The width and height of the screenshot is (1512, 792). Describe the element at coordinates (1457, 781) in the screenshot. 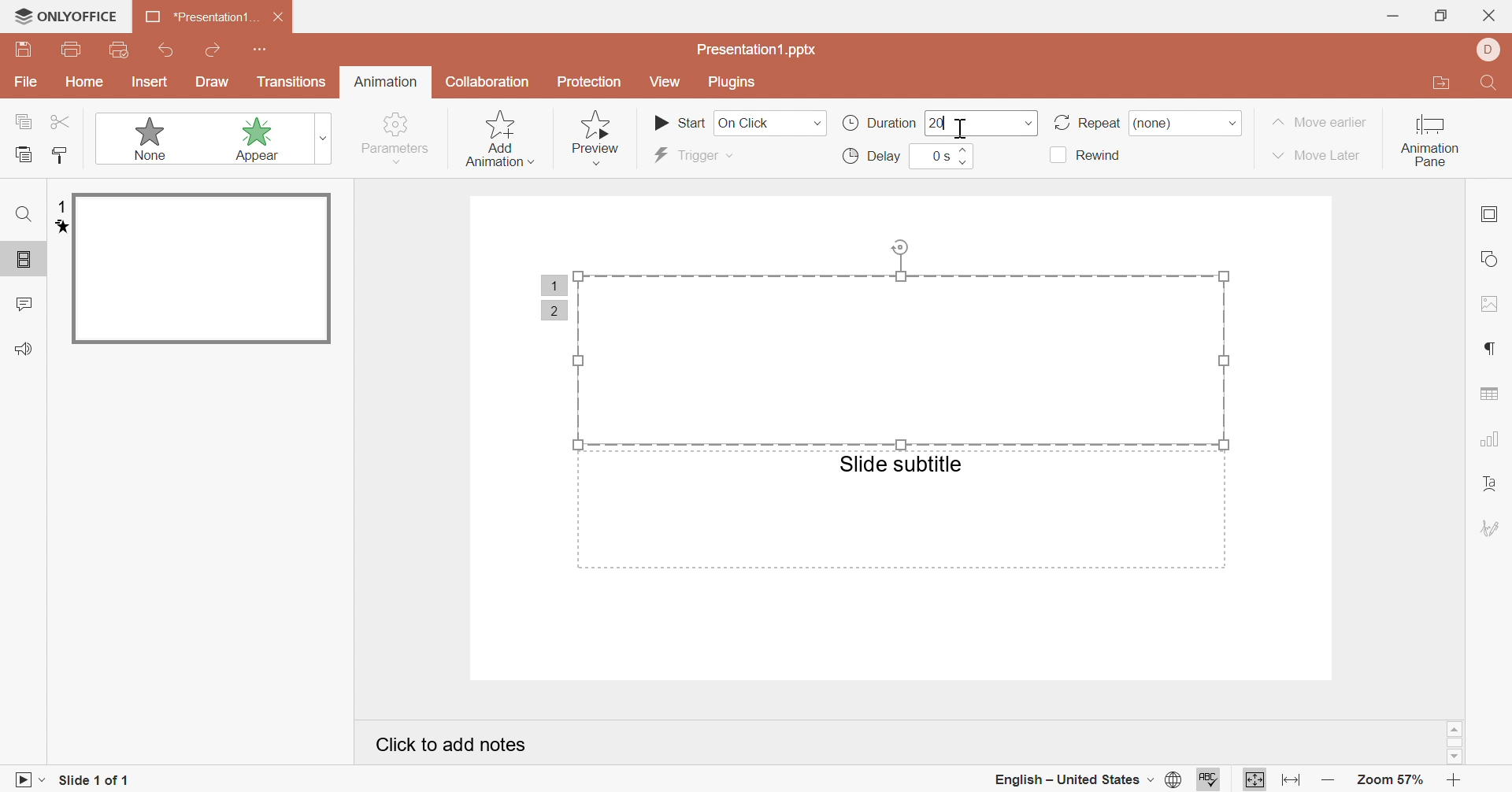

I see `zoom in` at that location.